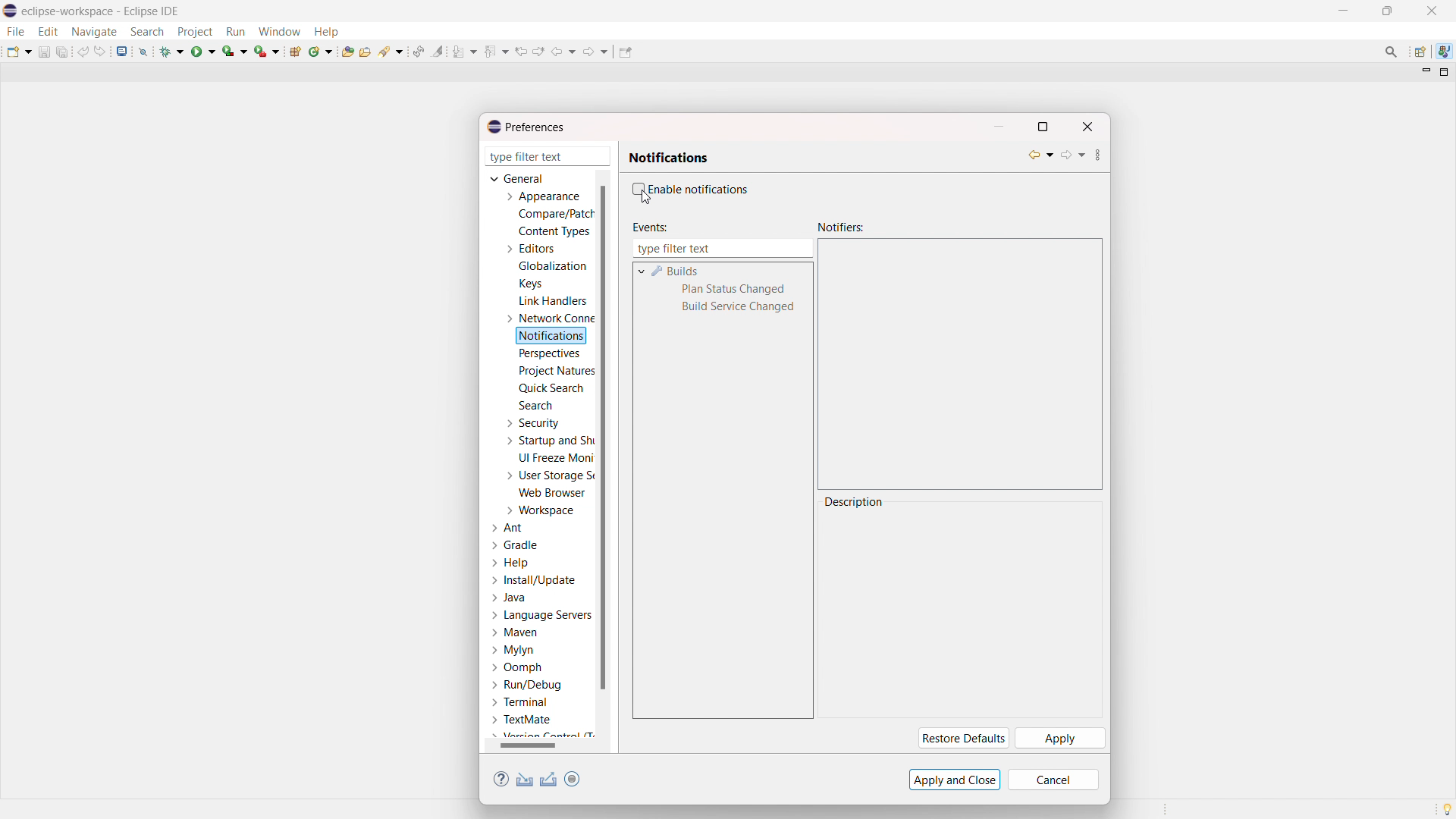 The width and height of the screenshot is (1456, 819). Describe the element at coordinates (535, 581) in the screenshot. I see `install/update` at that location.